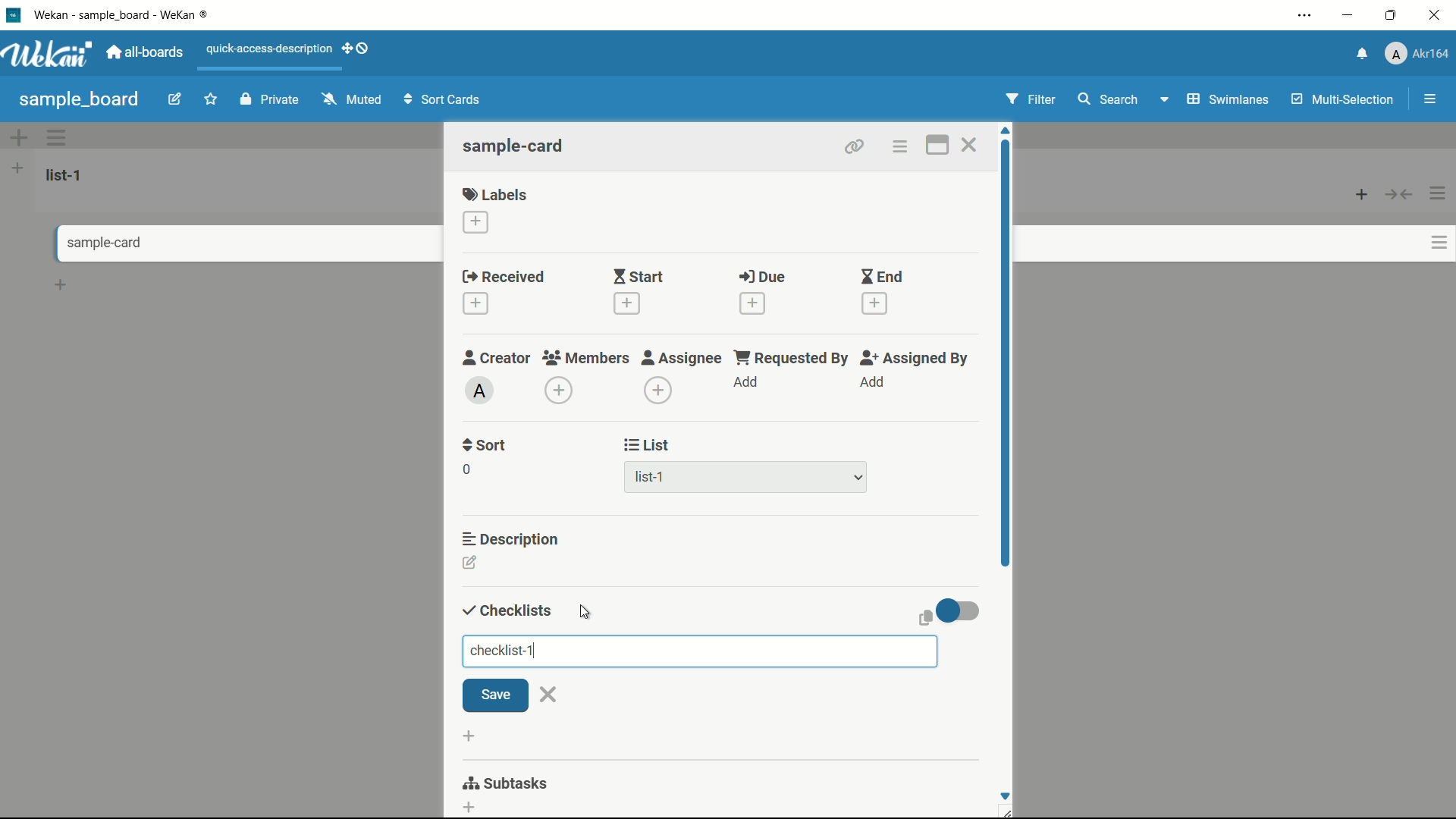 The height and width of the screenshot is (819, 1456). What do you see at coordinates (1439, 243) in the screenshot?
I see `card actions` at bounding box center [1439, 243].